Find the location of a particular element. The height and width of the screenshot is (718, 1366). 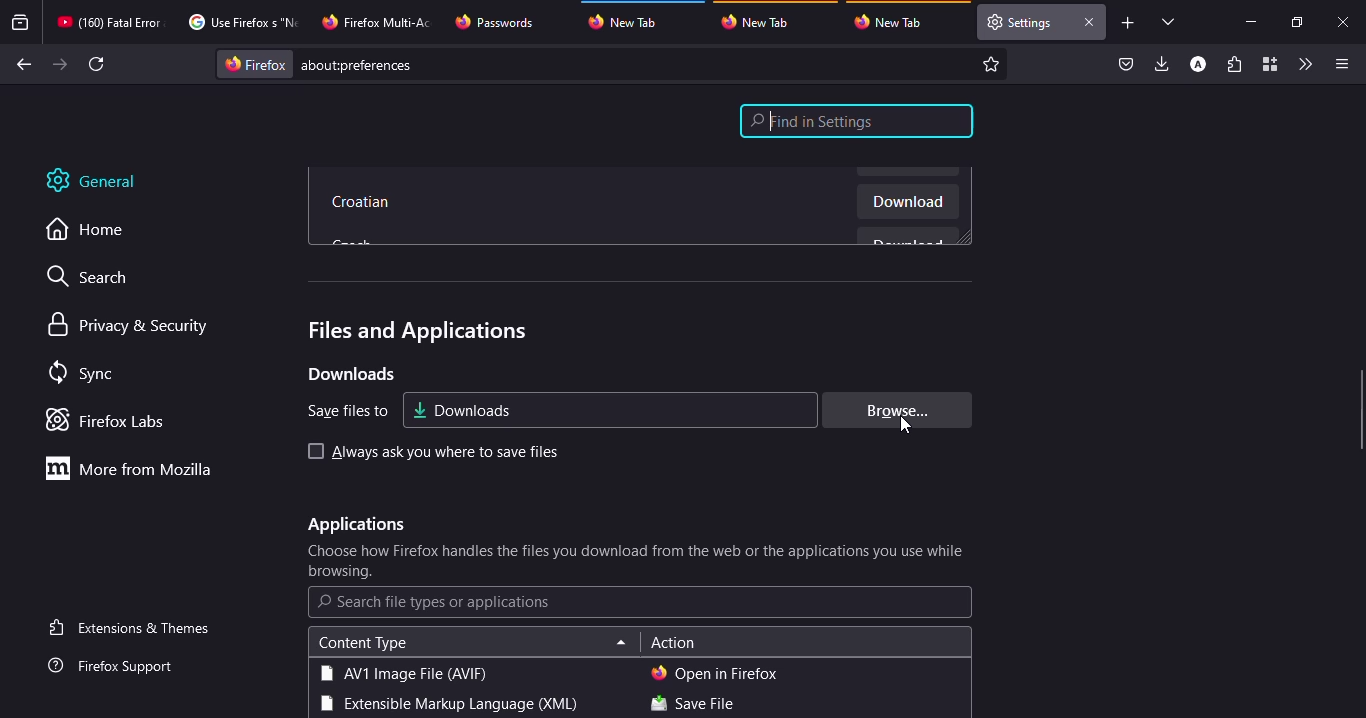

firefox labs is located at coordinates (112, 420).